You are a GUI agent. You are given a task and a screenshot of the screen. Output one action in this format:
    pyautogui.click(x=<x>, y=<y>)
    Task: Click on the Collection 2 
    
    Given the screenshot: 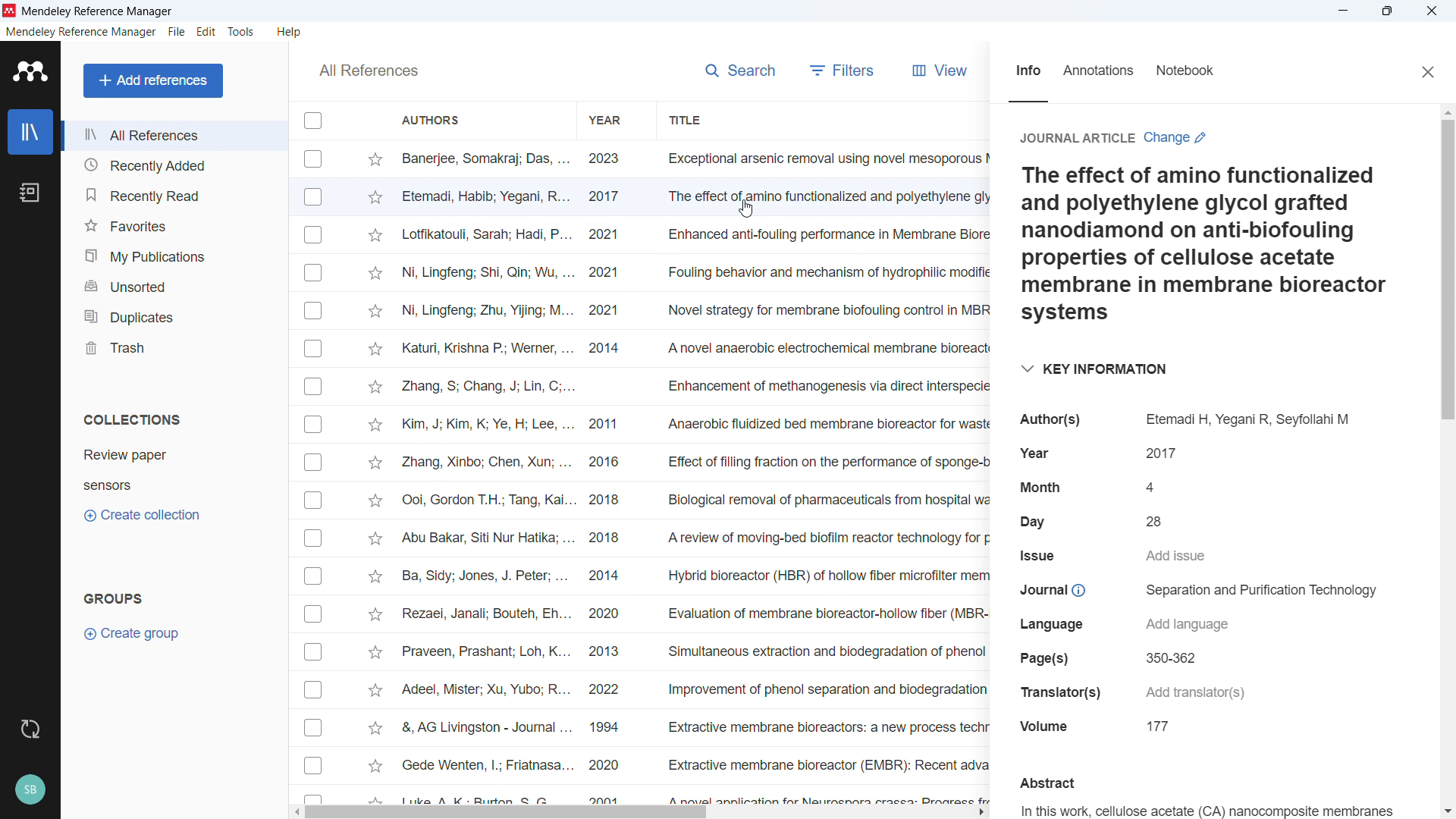 What is the action you would take?
    pyautogui.click(x=108, y=485)
    